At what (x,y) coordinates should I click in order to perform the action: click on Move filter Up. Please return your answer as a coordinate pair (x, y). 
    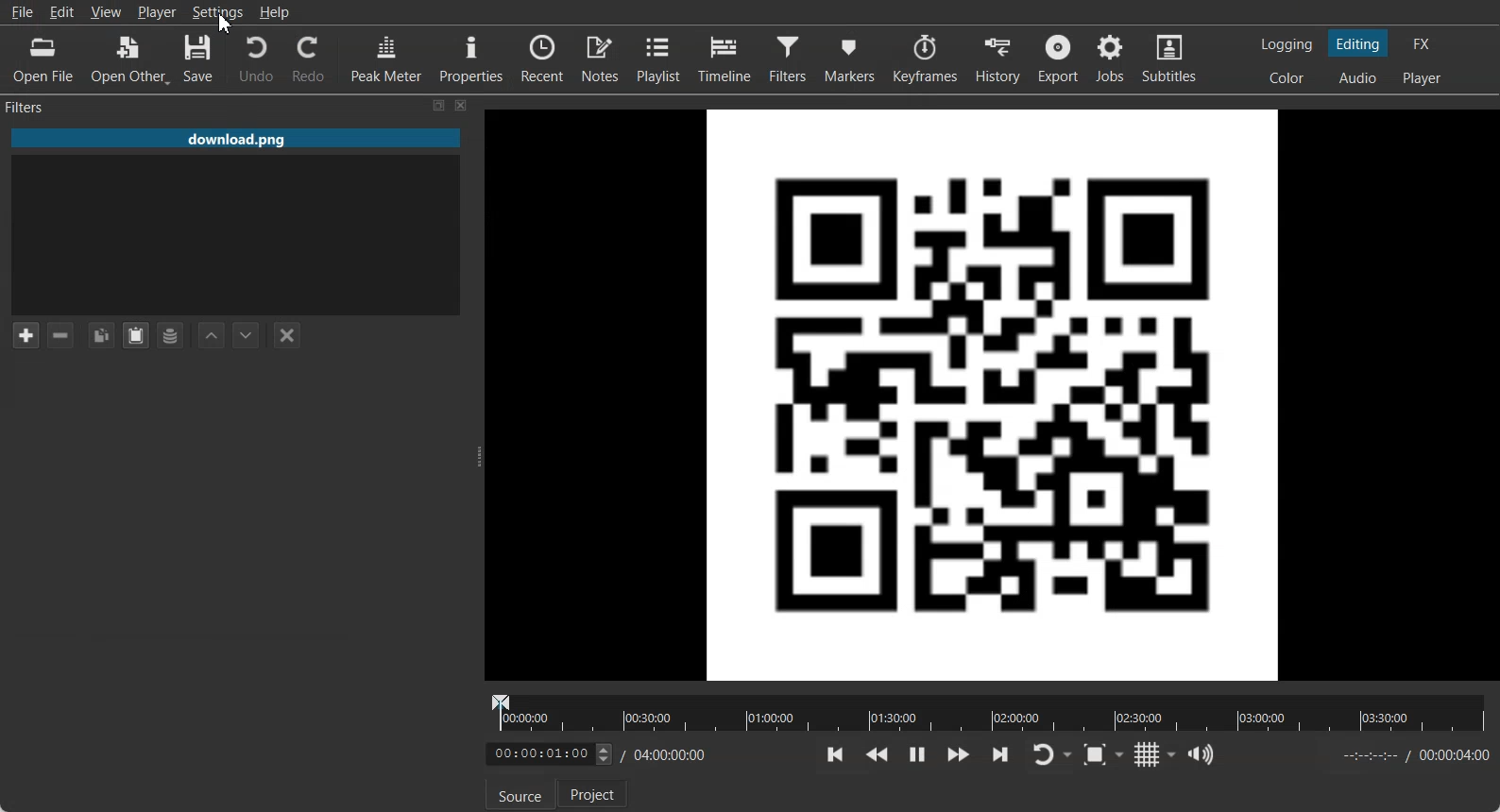
    Looking at the image, I should click on (212, 335).